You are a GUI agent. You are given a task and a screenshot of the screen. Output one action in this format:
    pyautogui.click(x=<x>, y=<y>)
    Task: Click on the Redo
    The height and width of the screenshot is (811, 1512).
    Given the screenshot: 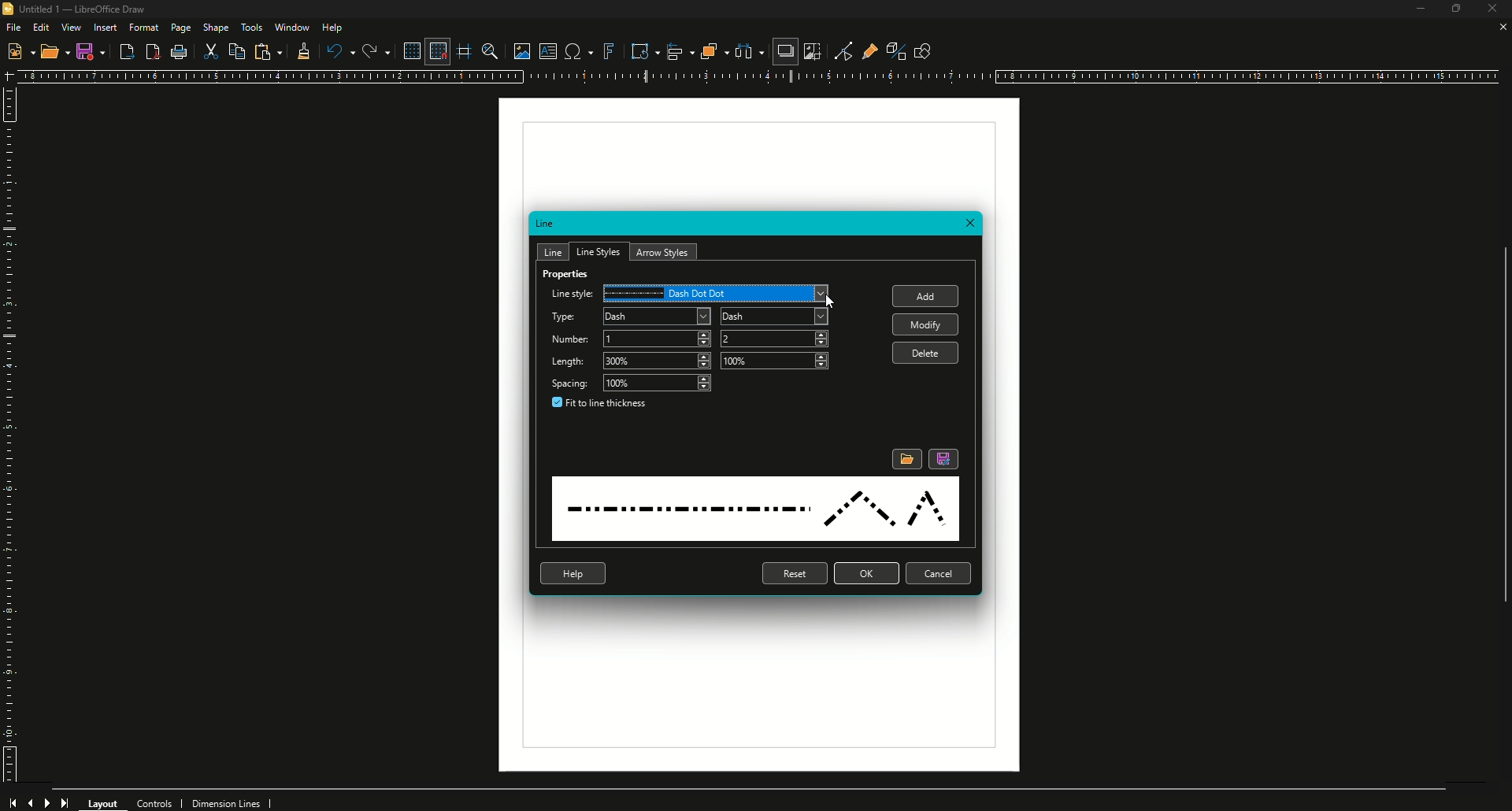 What is the action you would take?
    pyautogui.click(x=375, y=51)
    